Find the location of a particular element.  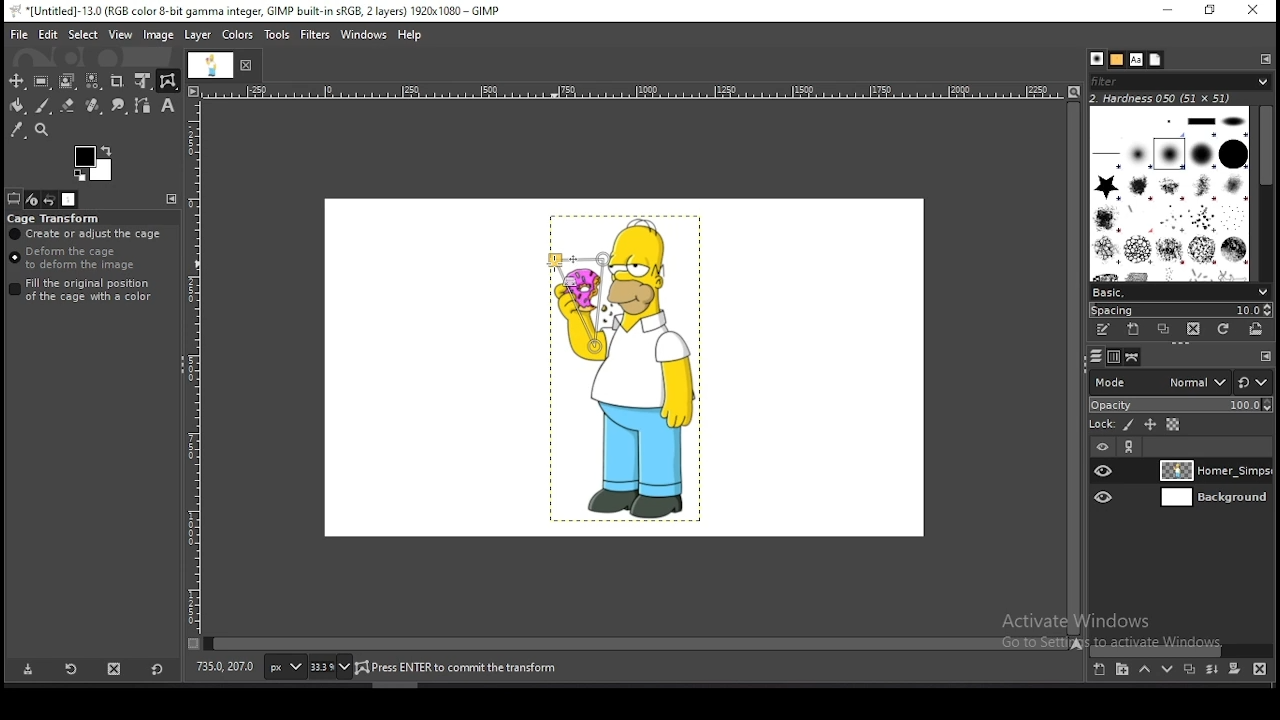

lock position and size is located at coordinates (1149, 425).